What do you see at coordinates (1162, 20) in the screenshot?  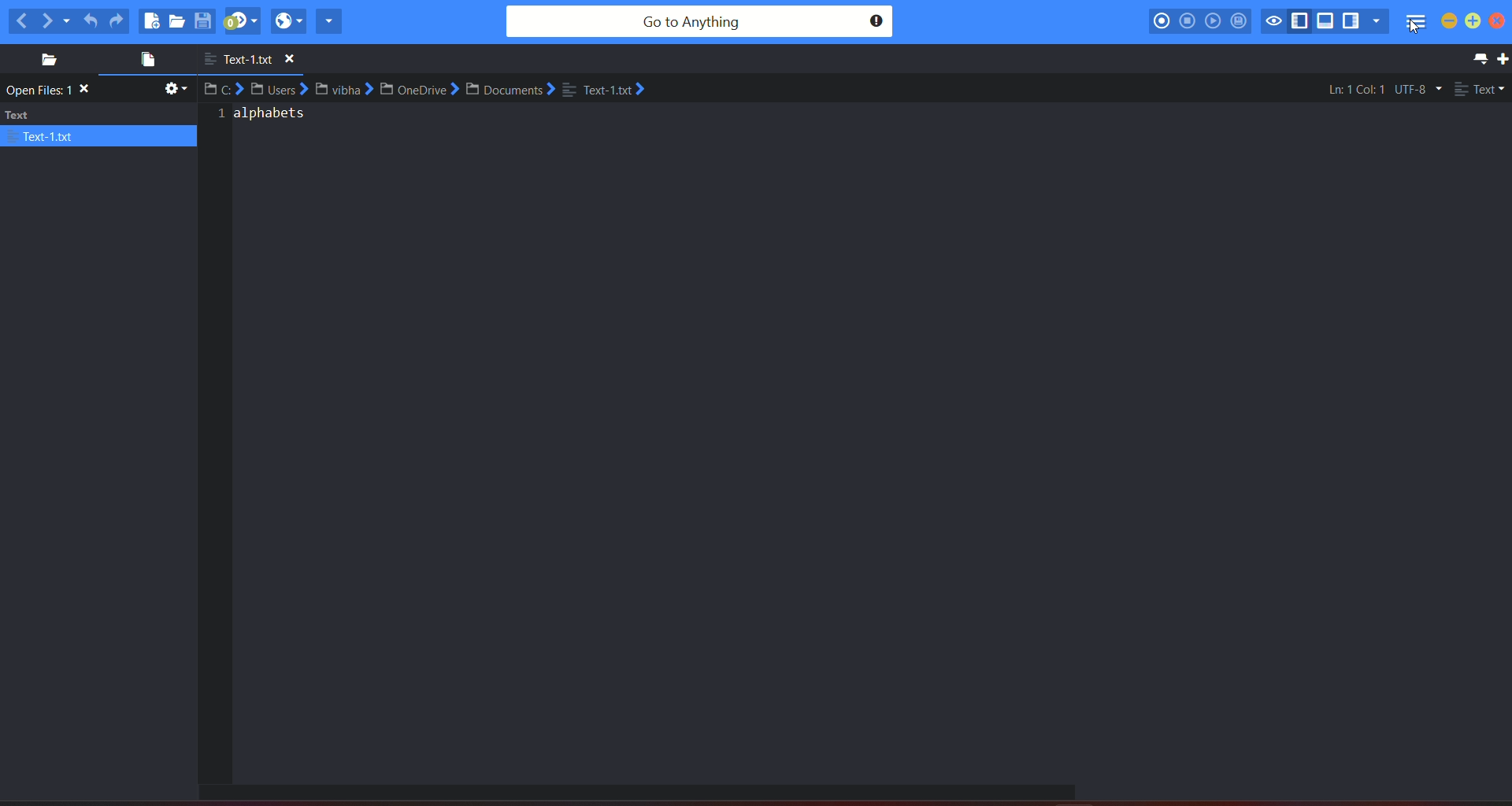 I see `record macro` at bounding box center [1162, 20].